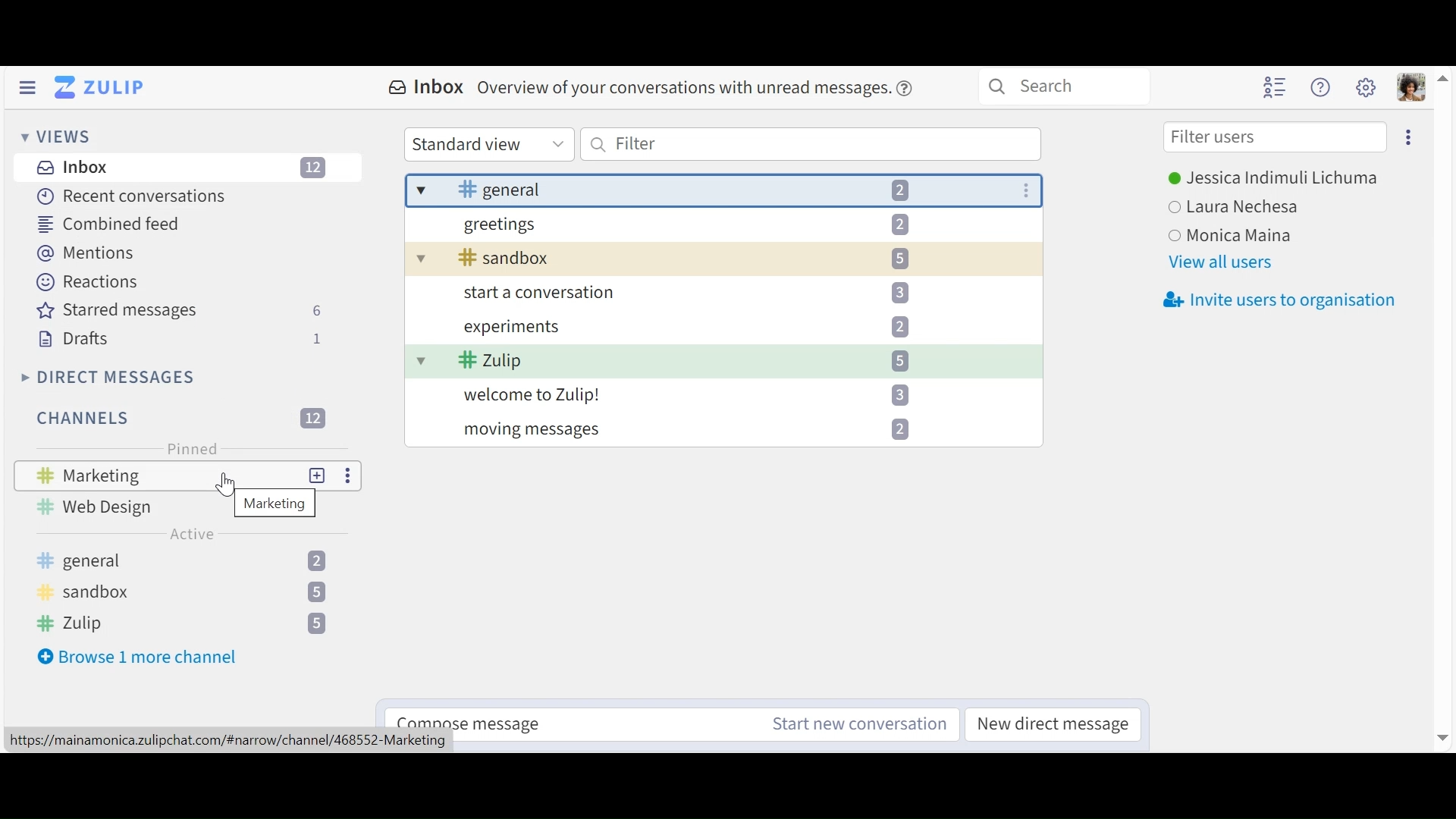 The height and width of the screenshot is (819, 1456). What do you see at coordinates (226, 485) in the screenshot?
I see `cursor` at bounding box center [226, 485].